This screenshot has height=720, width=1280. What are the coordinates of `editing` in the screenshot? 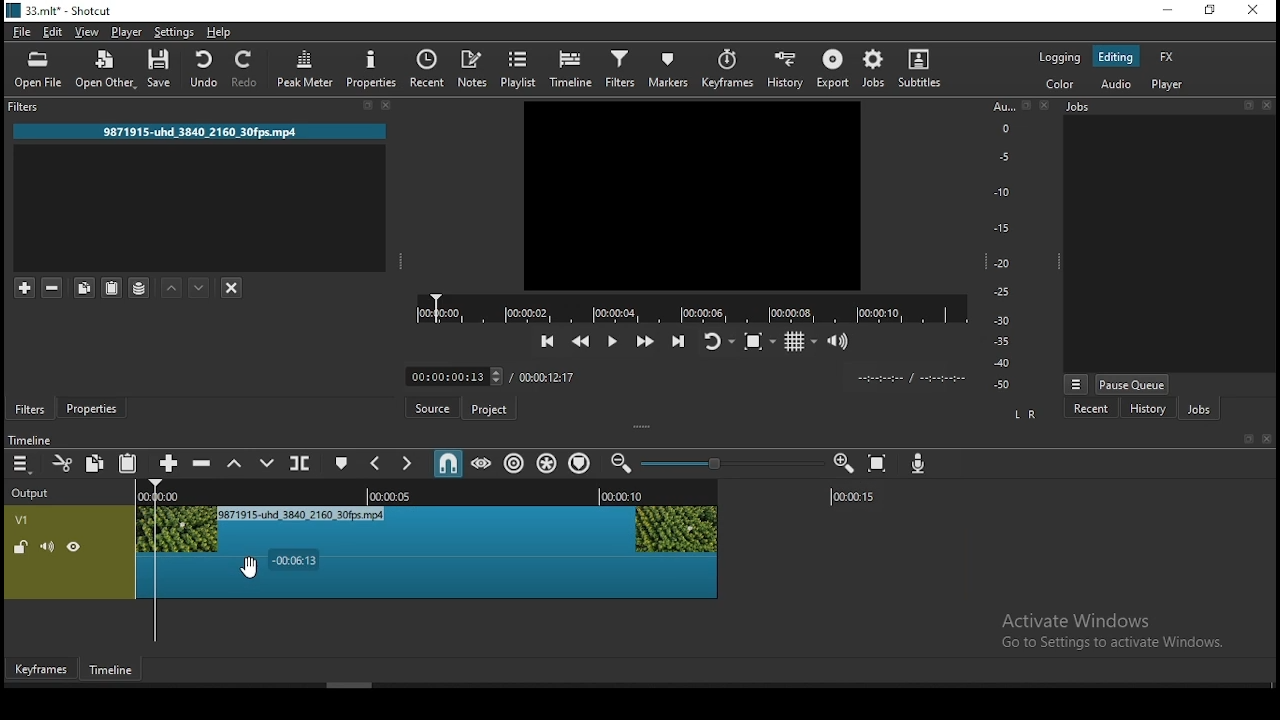 It's located at (1121, 58).